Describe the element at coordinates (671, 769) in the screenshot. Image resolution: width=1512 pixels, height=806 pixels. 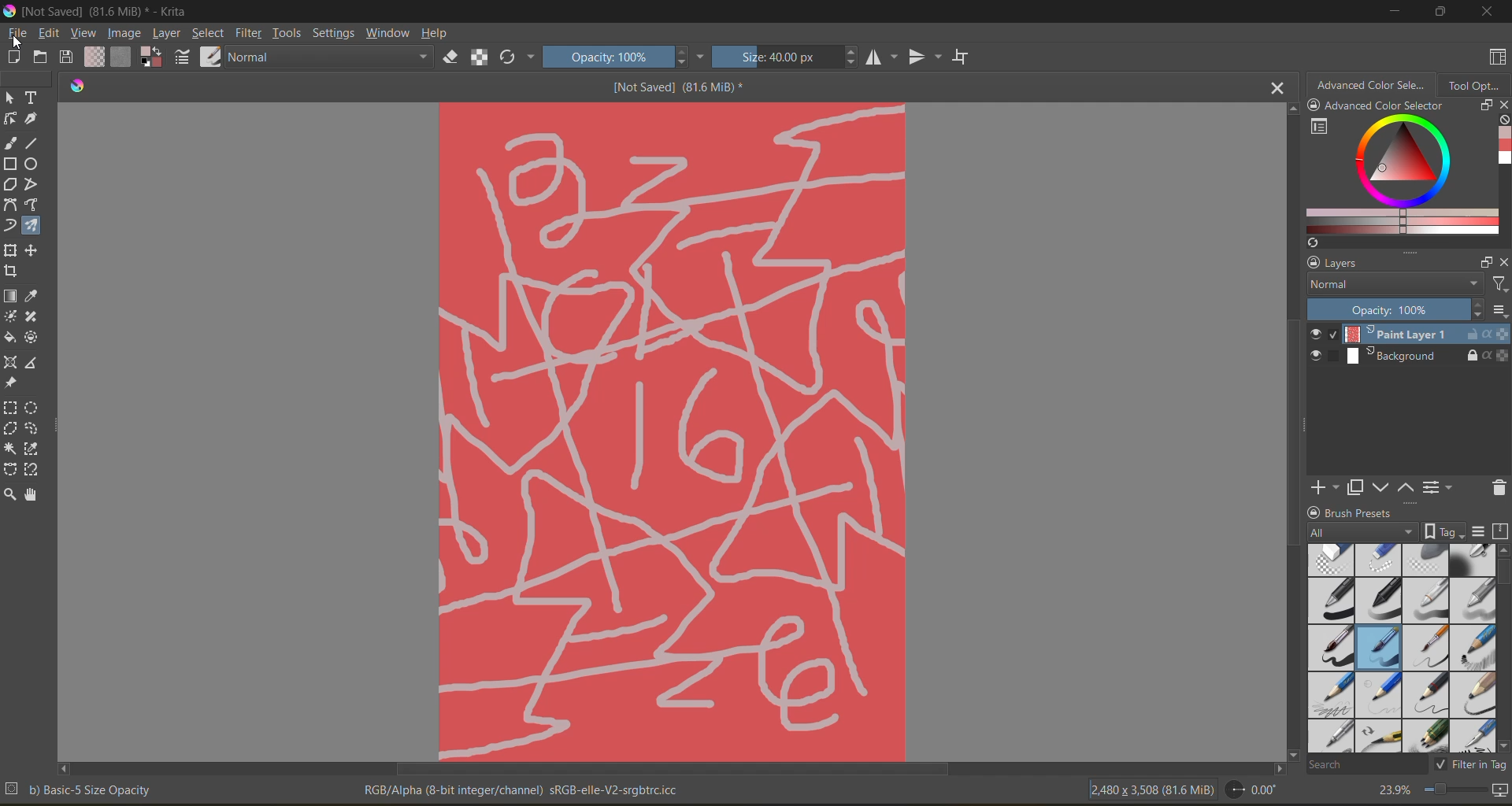
I see `horizontal scroll bar` at that location.